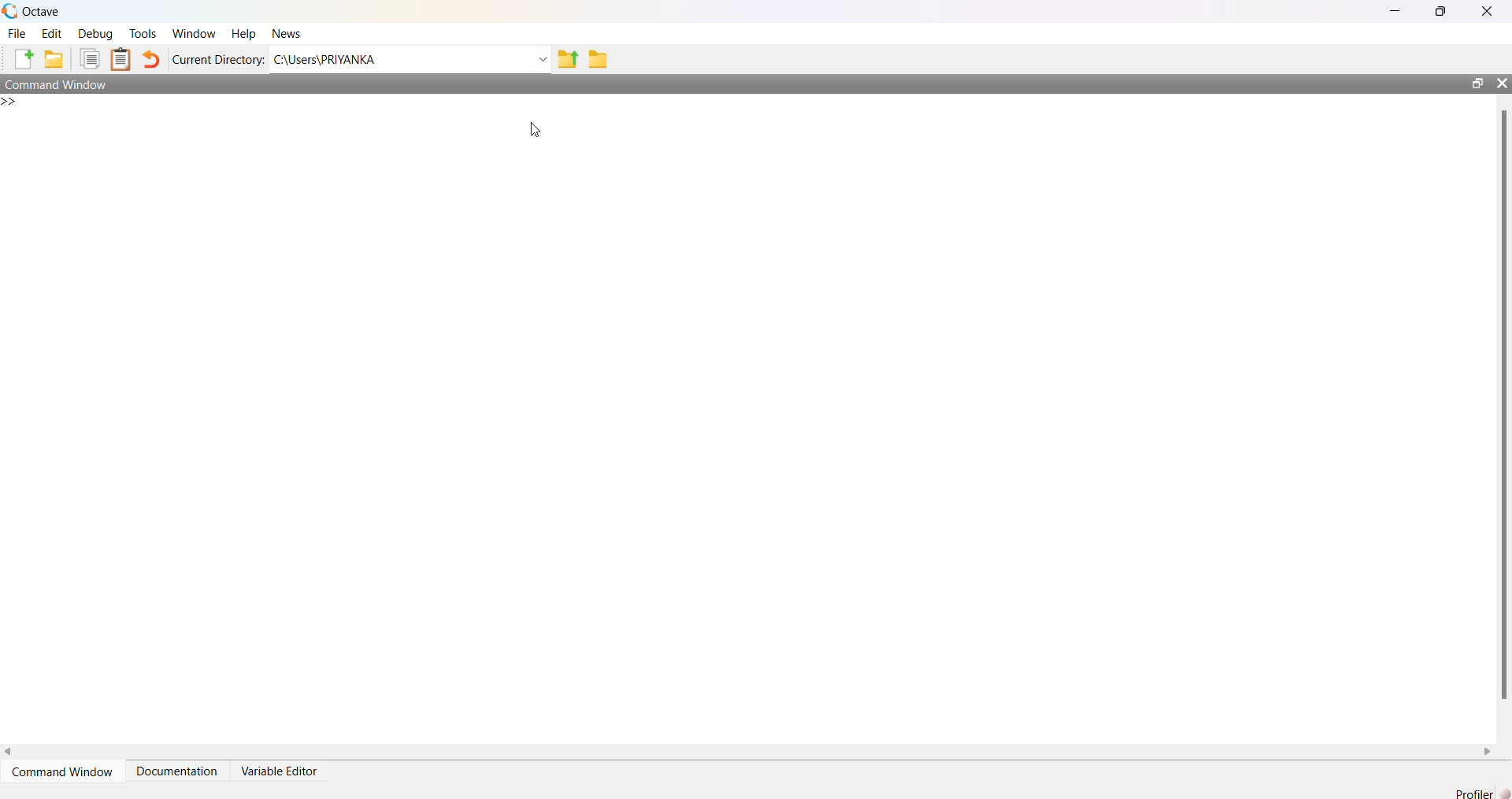 The width and height of the screenshot is (1512, 799). Describe the element at coordinates (569, 61) in the screenshot. I see `export` at that location.